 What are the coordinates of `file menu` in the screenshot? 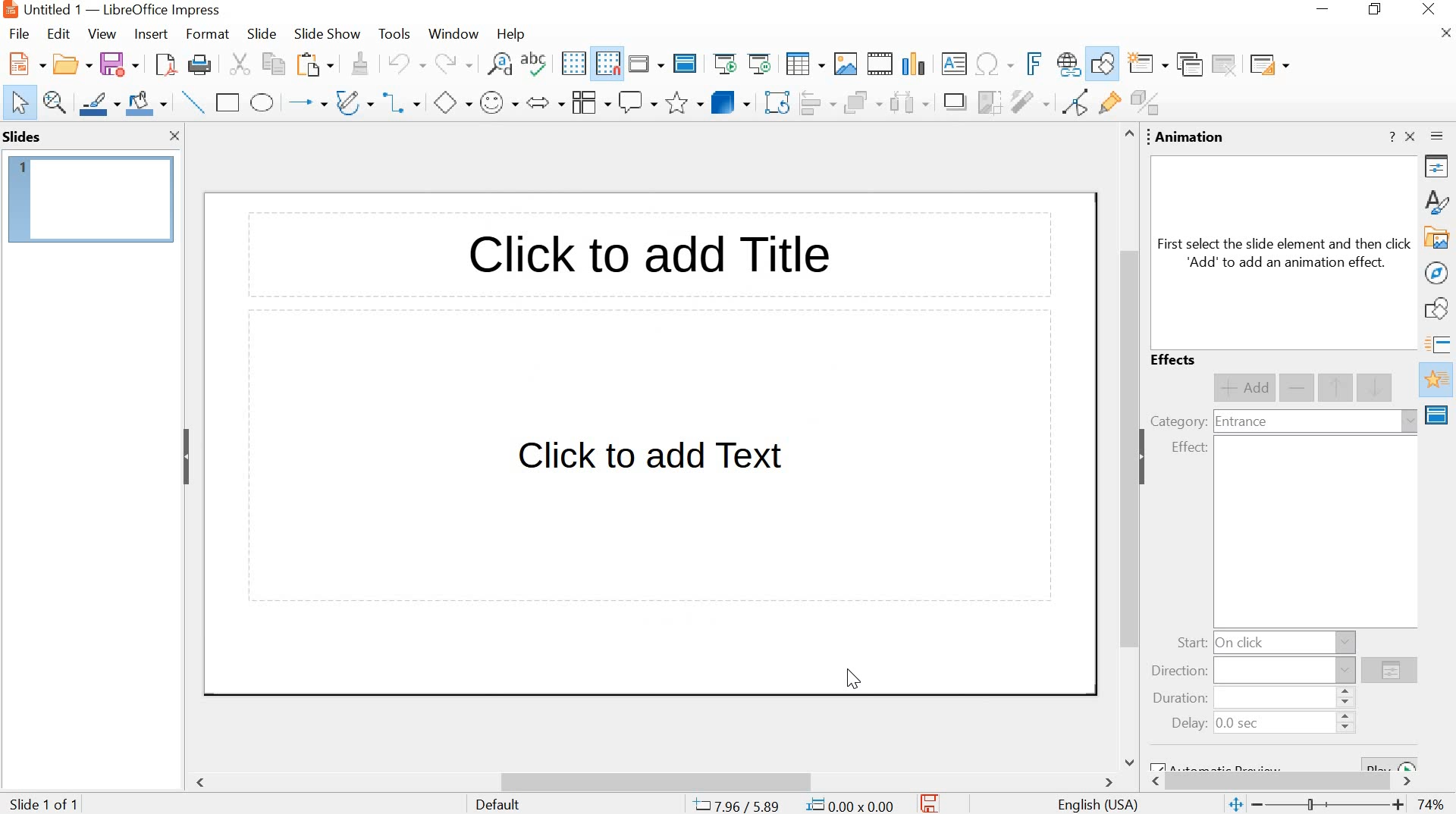 It's located at (24, 33).